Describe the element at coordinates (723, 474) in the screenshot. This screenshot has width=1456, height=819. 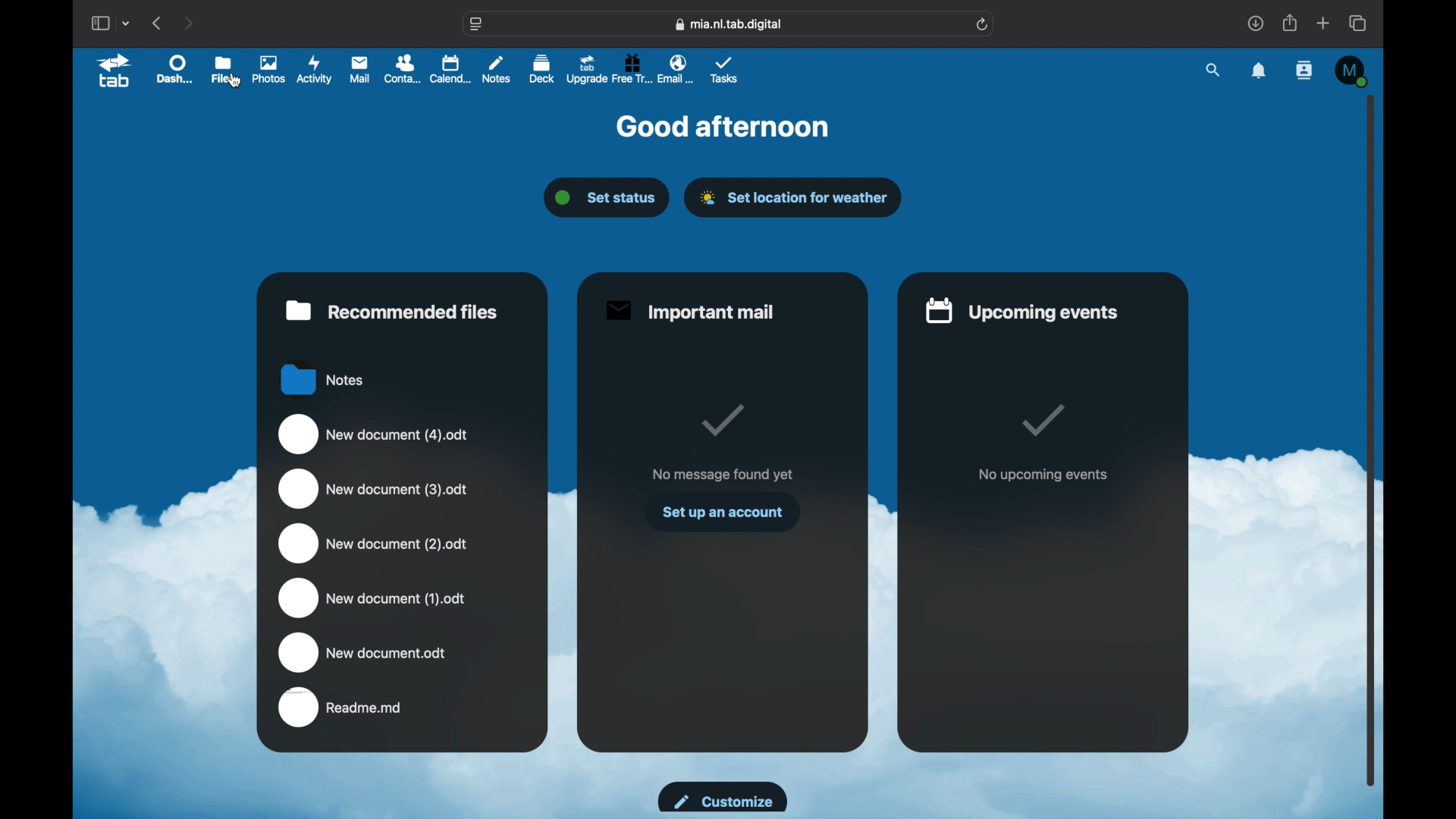
I see `no message found yet` at that location.